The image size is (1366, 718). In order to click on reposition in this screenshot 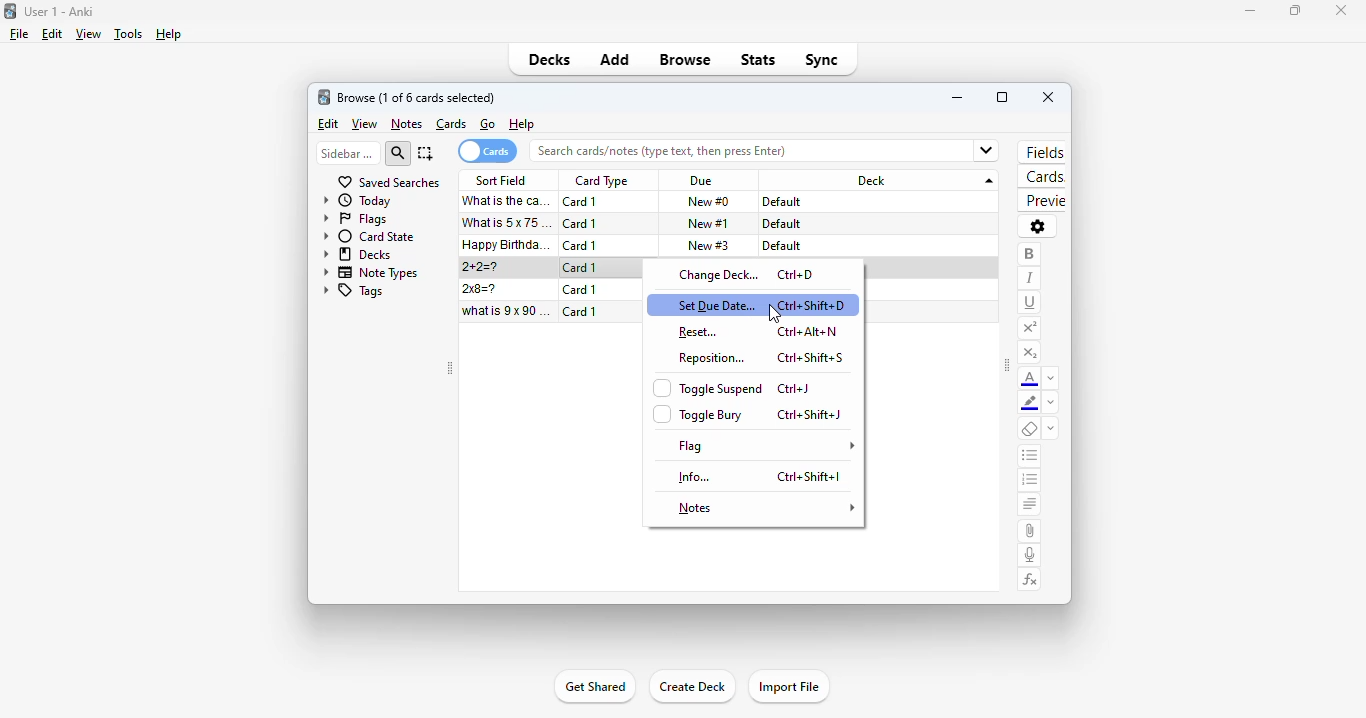, I will do `click(711, 358)`.